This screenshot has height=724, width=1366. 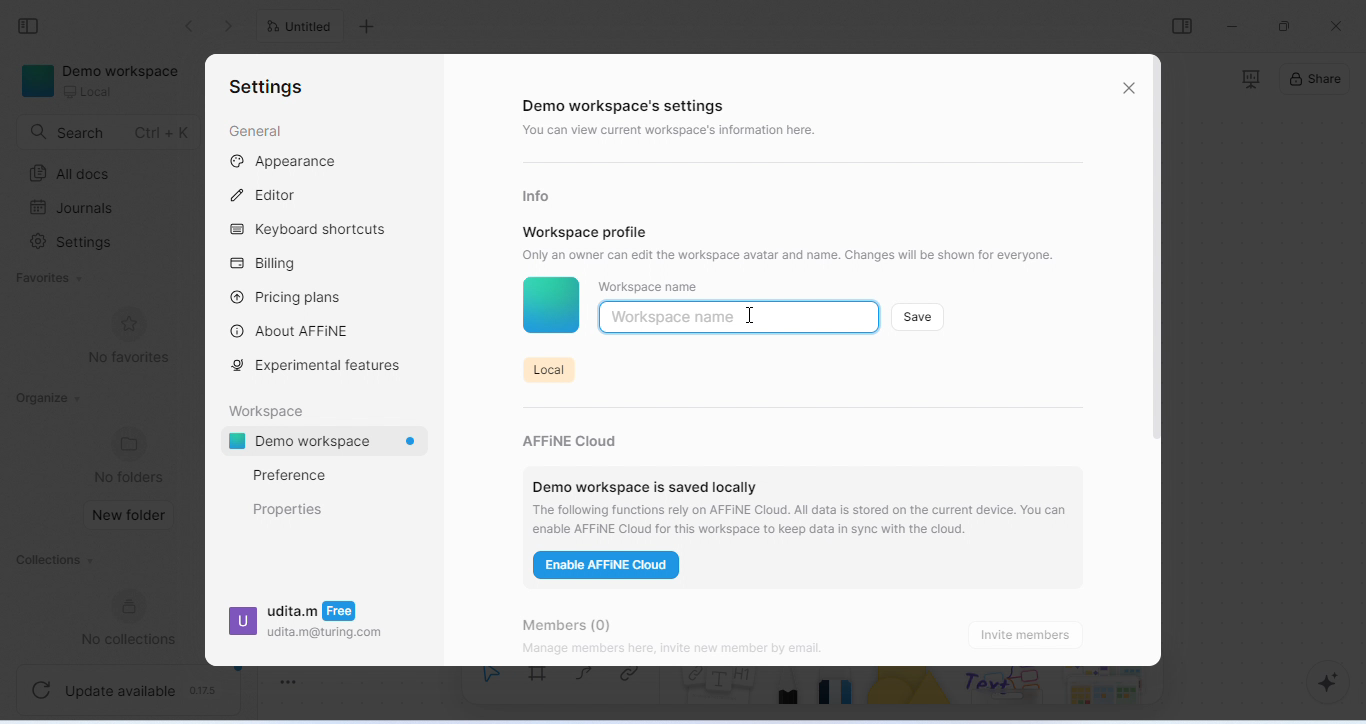 What do you see at coordinates (255, 132) in the screenshot?
I see `general` at bounding box center [255, 132].